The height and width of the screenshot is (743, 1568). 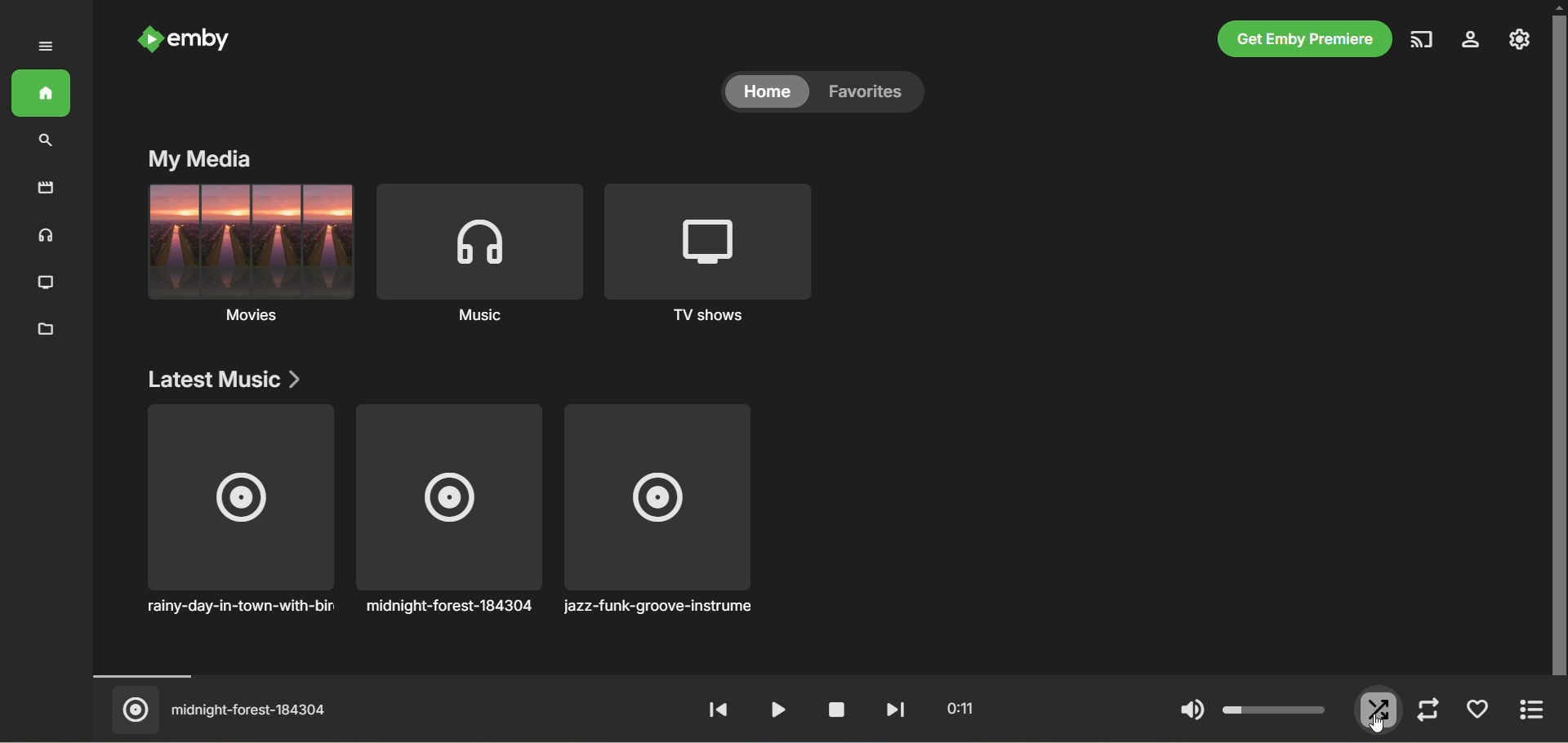 I want to click on metadata manager, so click(x=46, y=329).